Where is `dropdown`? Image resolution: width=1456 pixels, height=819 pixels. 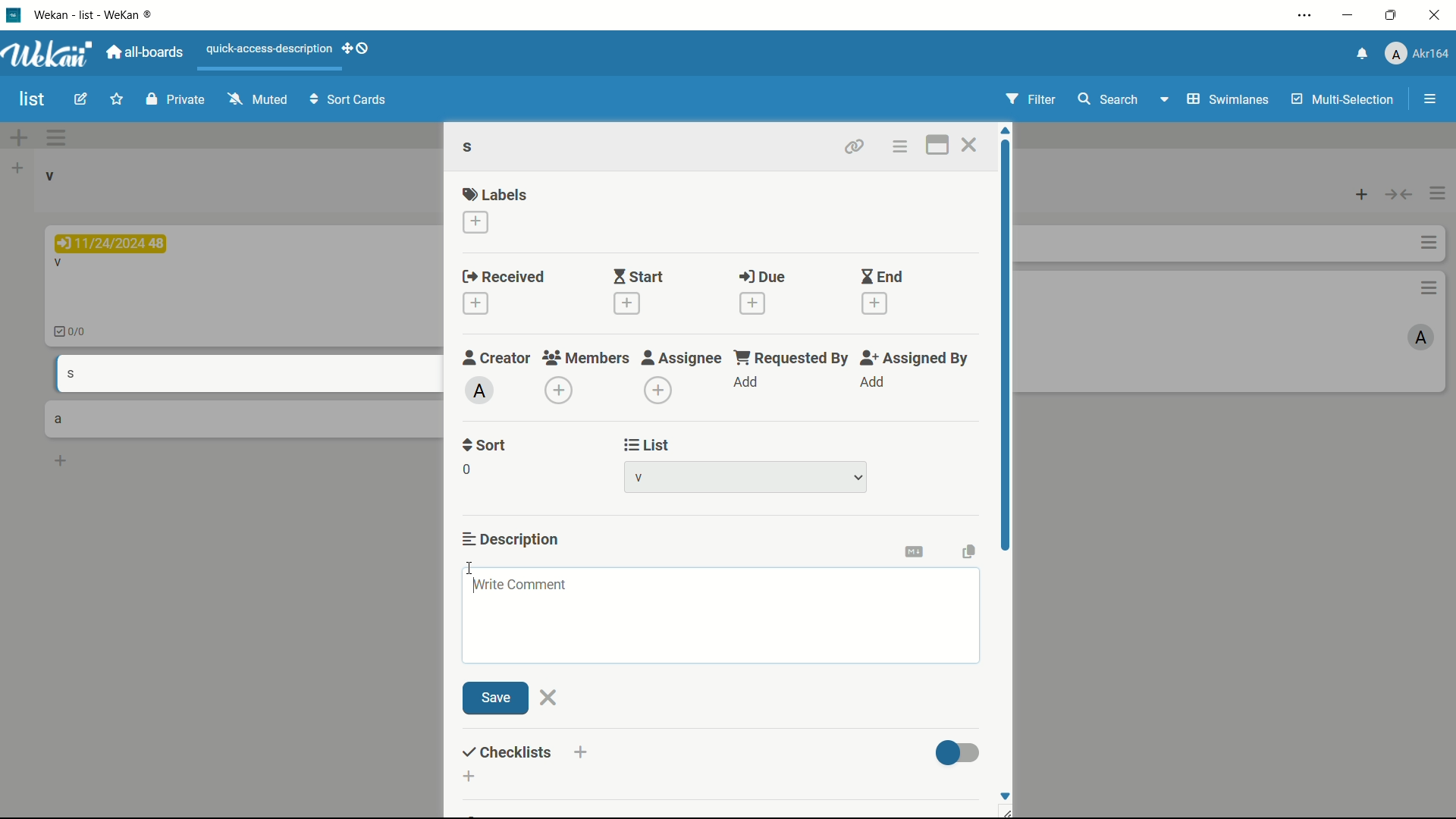
dropdown is located at coordinates (858, 477).